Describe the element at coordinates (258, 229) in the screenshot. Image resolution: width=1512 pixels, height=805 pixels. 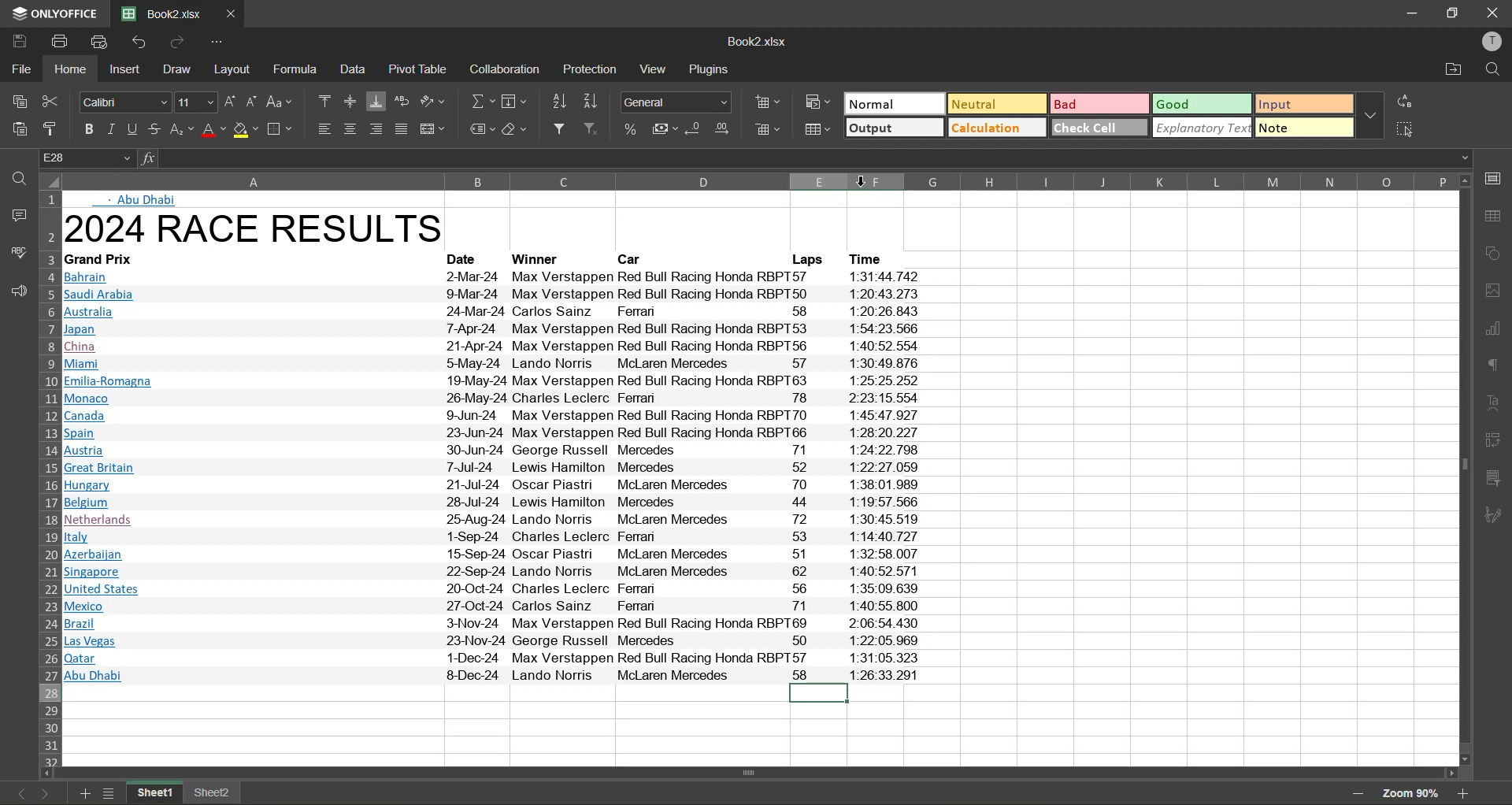
I see `2024 RACE RESULTS` at that location.